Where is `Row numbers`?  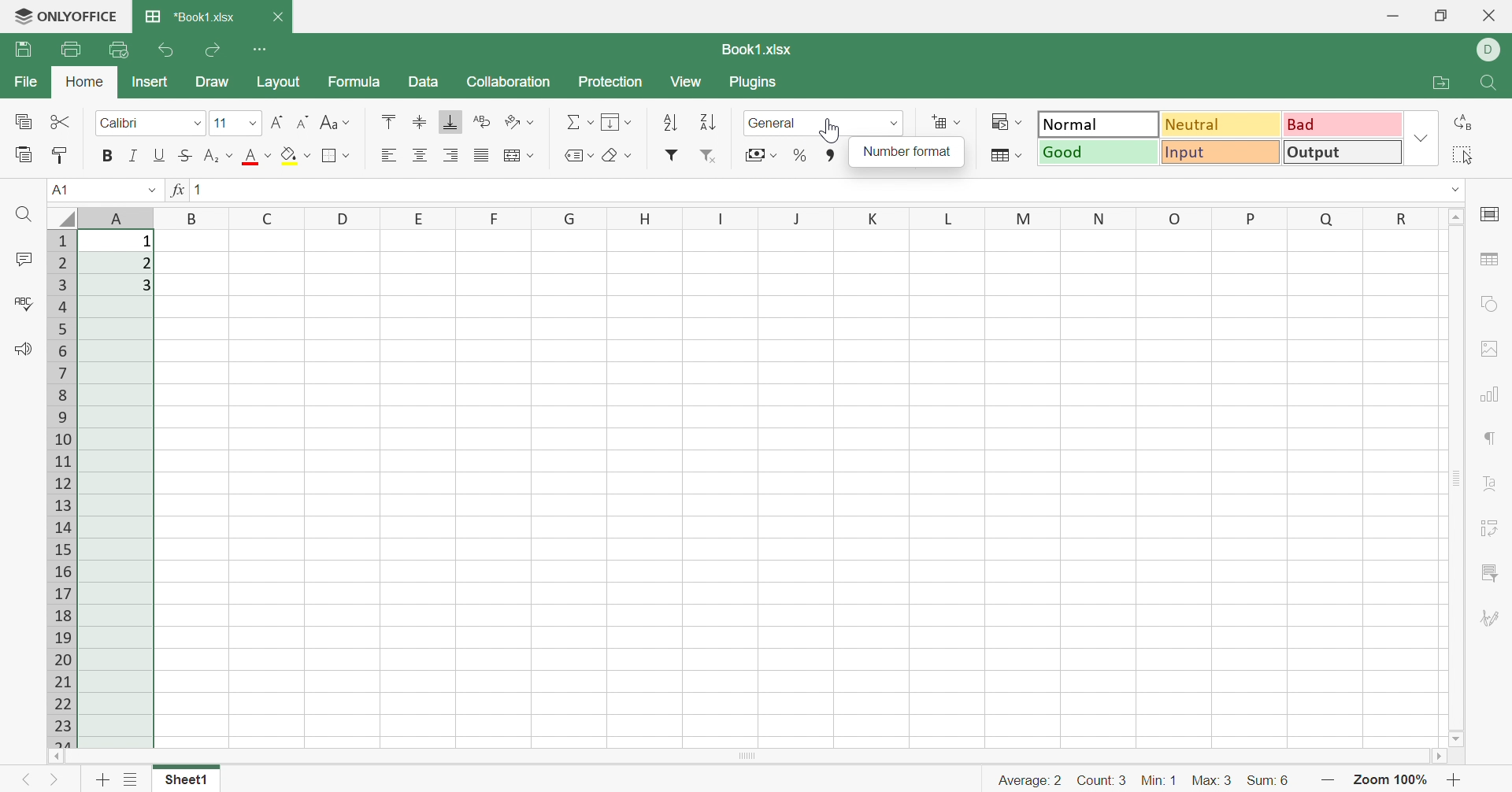
Row numbers is located at coordinates (62, 490).